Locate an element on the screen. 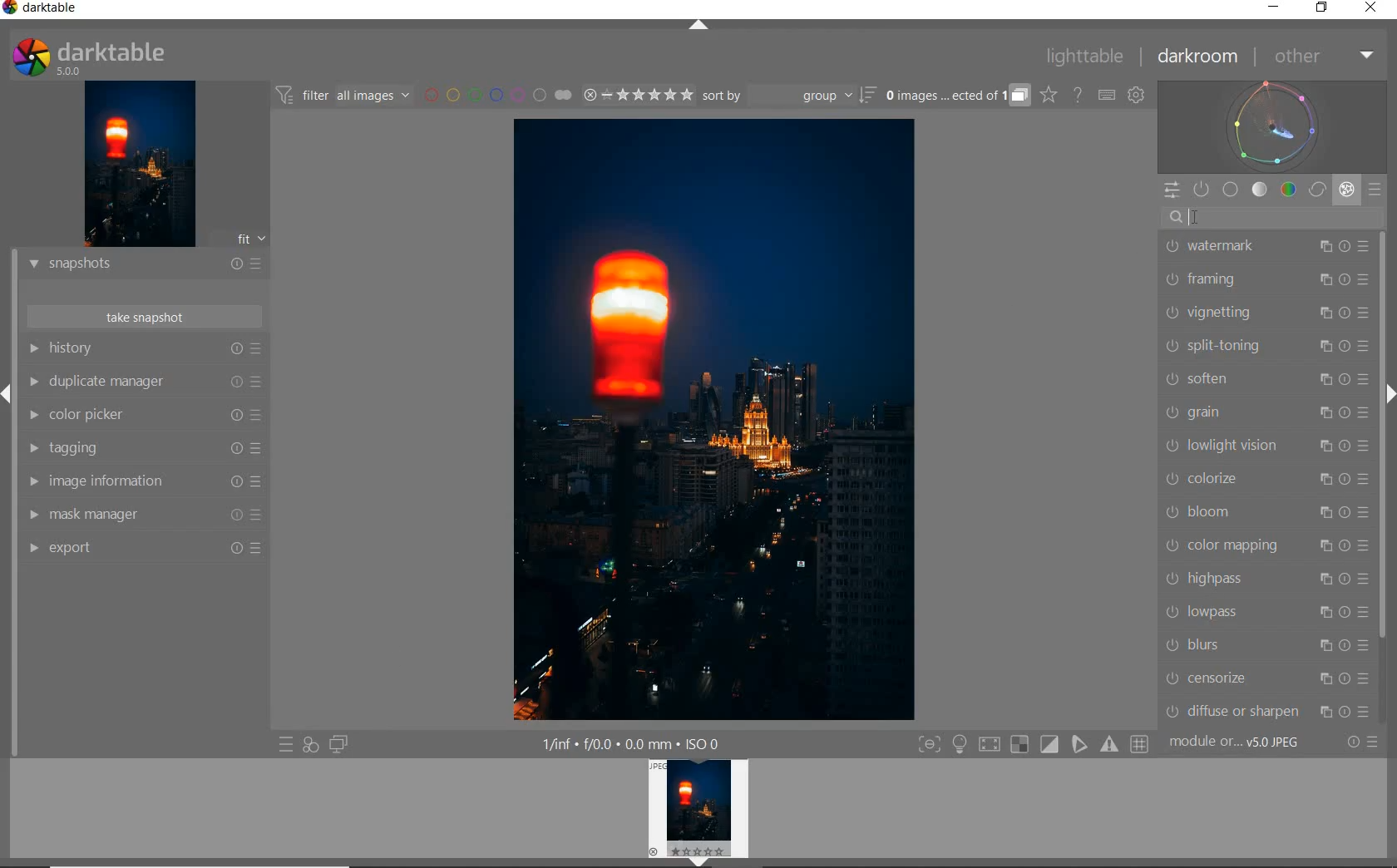  reset is located at coordinates (1355, 741).